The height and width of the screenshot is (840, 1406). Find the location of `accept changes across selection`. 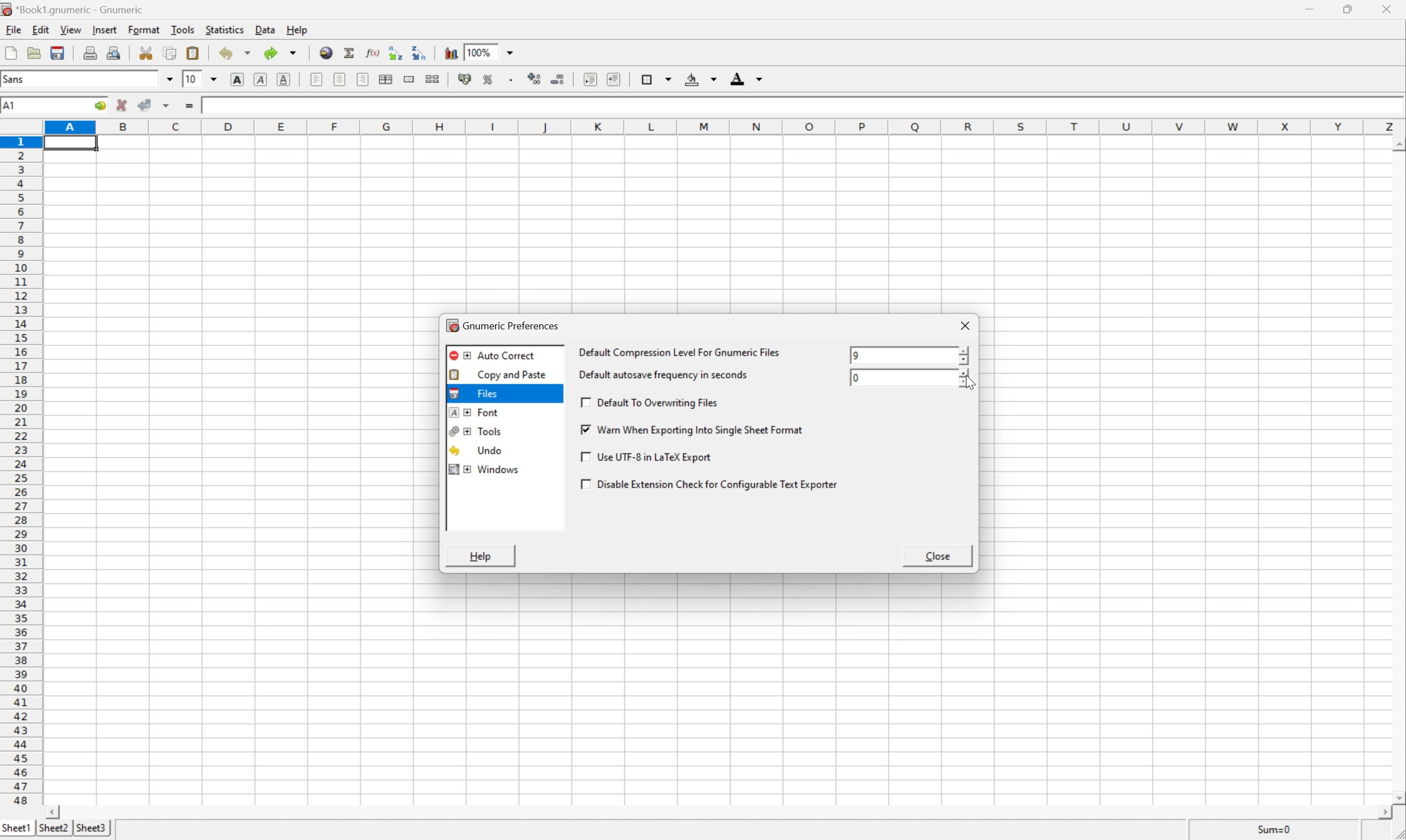

accept changes across selection is located at coordinates (156, 102).